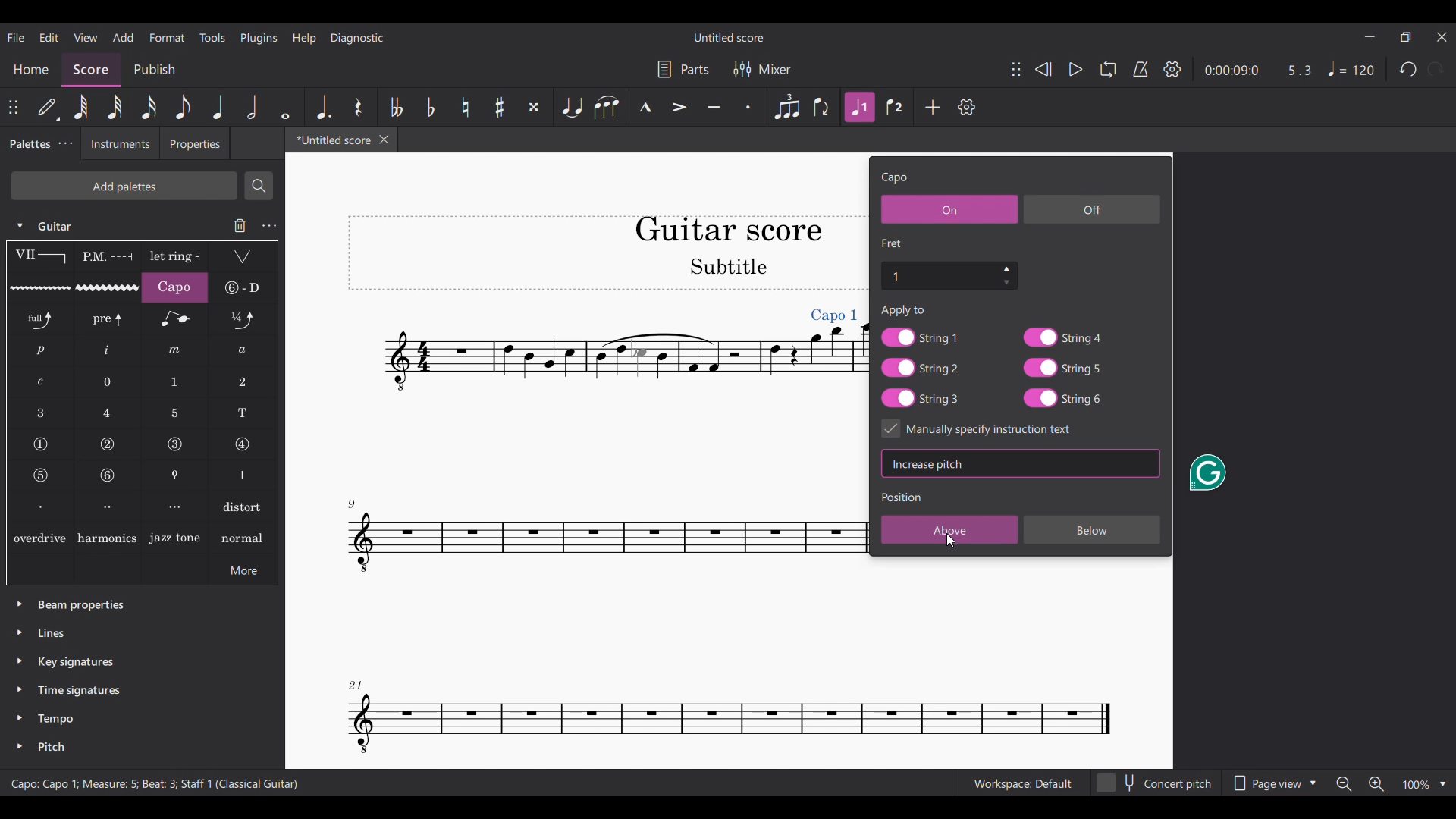 The width and height of the screenshot is (1456, 819). Describe the element at coordinates (176, 382) in the screenshot. I see `LH guitar fingering 1` at that location.